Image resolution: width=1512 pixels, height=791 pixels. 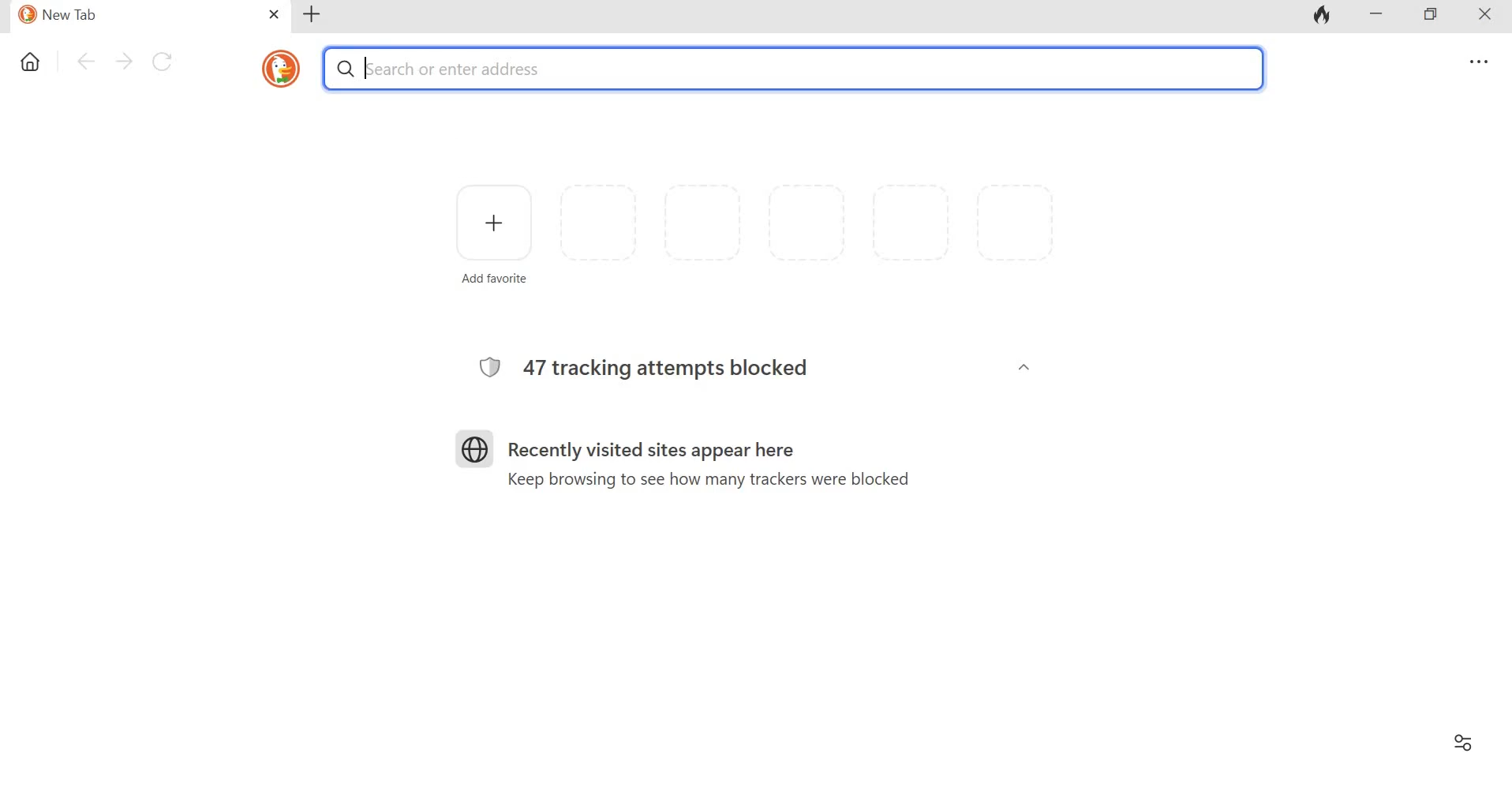 I want to click on Collapse/Expand, so click(x=1024, y=367).